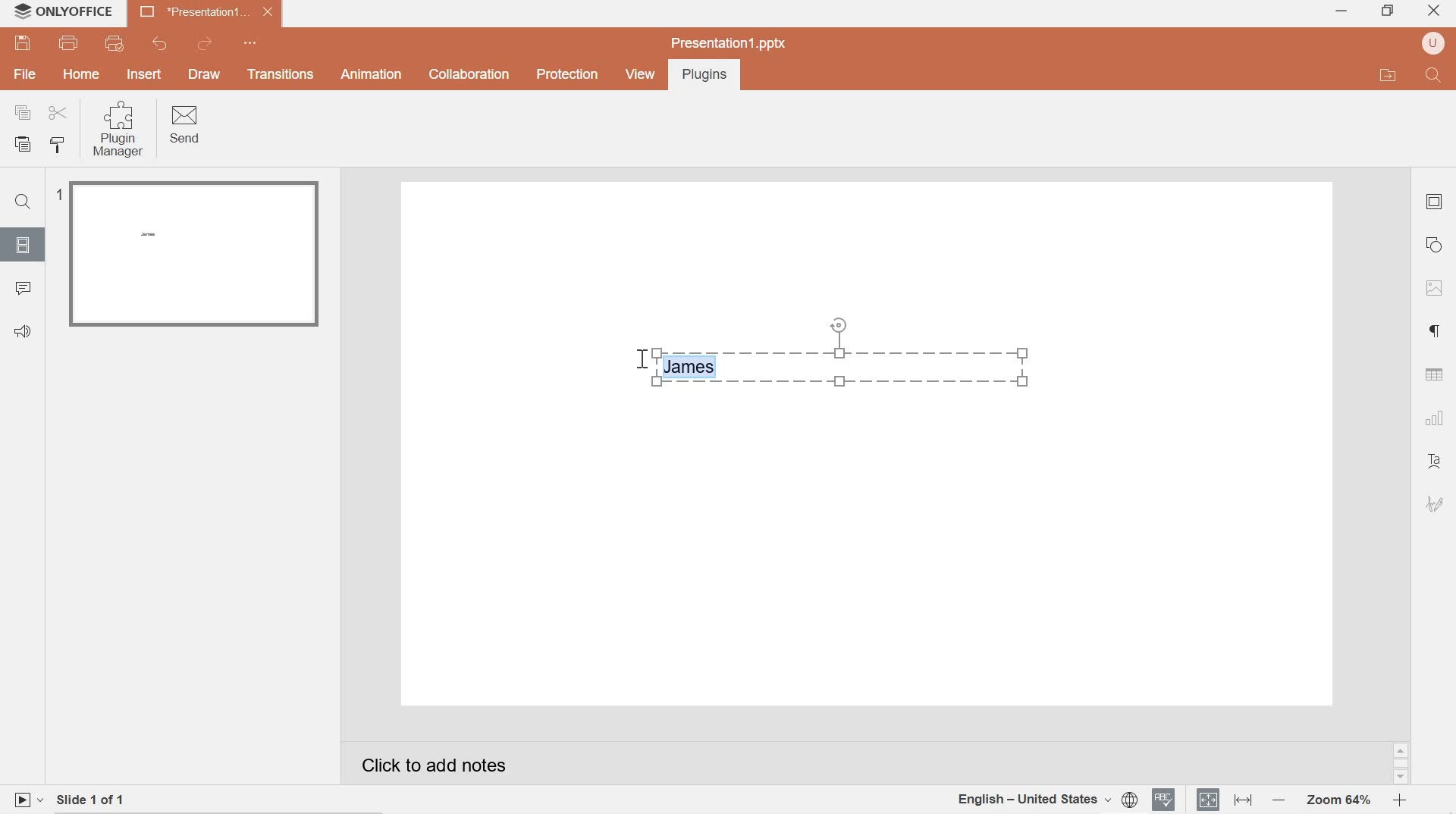  What do you see at coordinates (1436, 8) in the screenshot?
I see `close` at bounding box center [1436, 8].